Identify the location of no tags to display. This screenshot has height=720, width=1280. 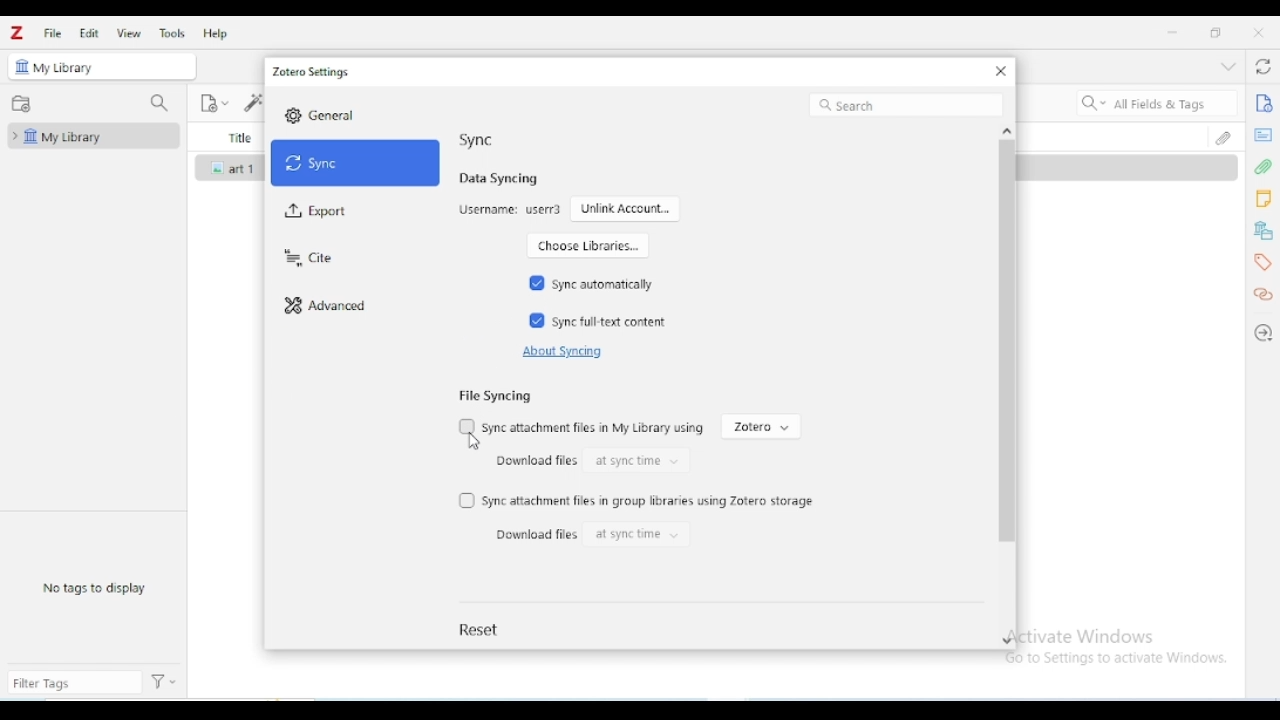
(94, 587).